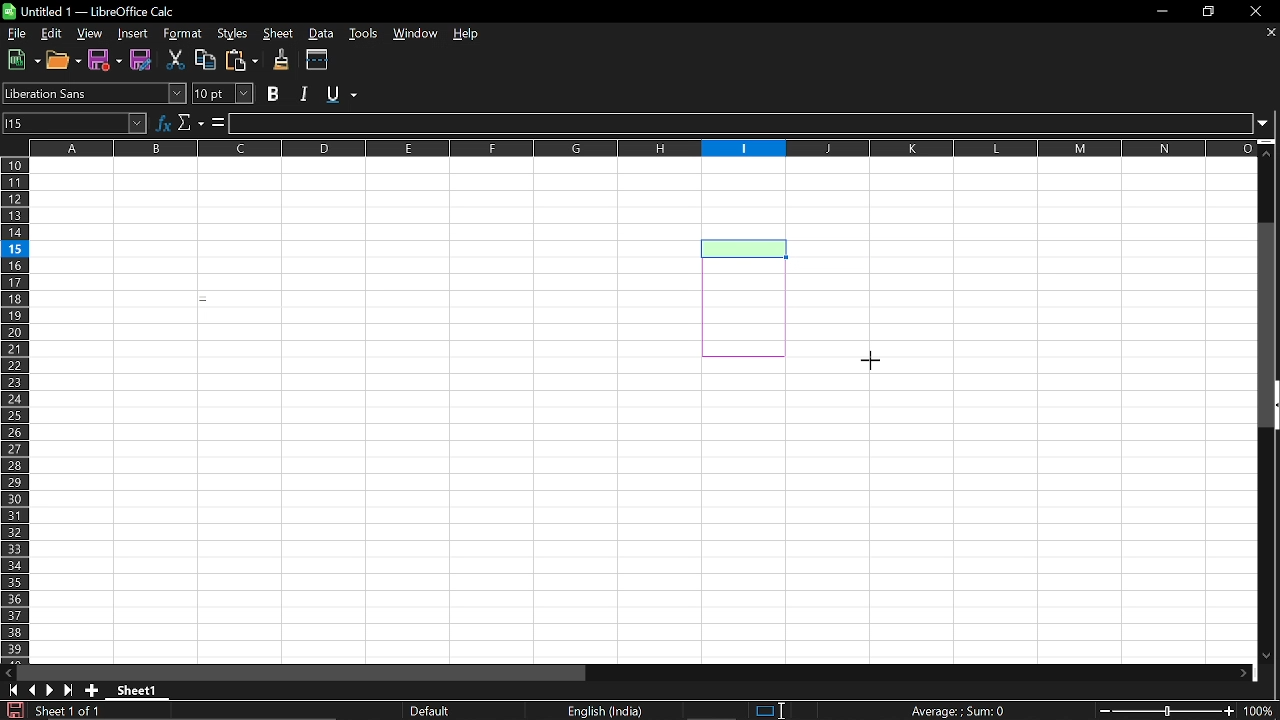 The image size is (1280, 720). What do you see at coordinates (63, 60) in the screenshot?
I see `Open` at bounding box center [63, 60].